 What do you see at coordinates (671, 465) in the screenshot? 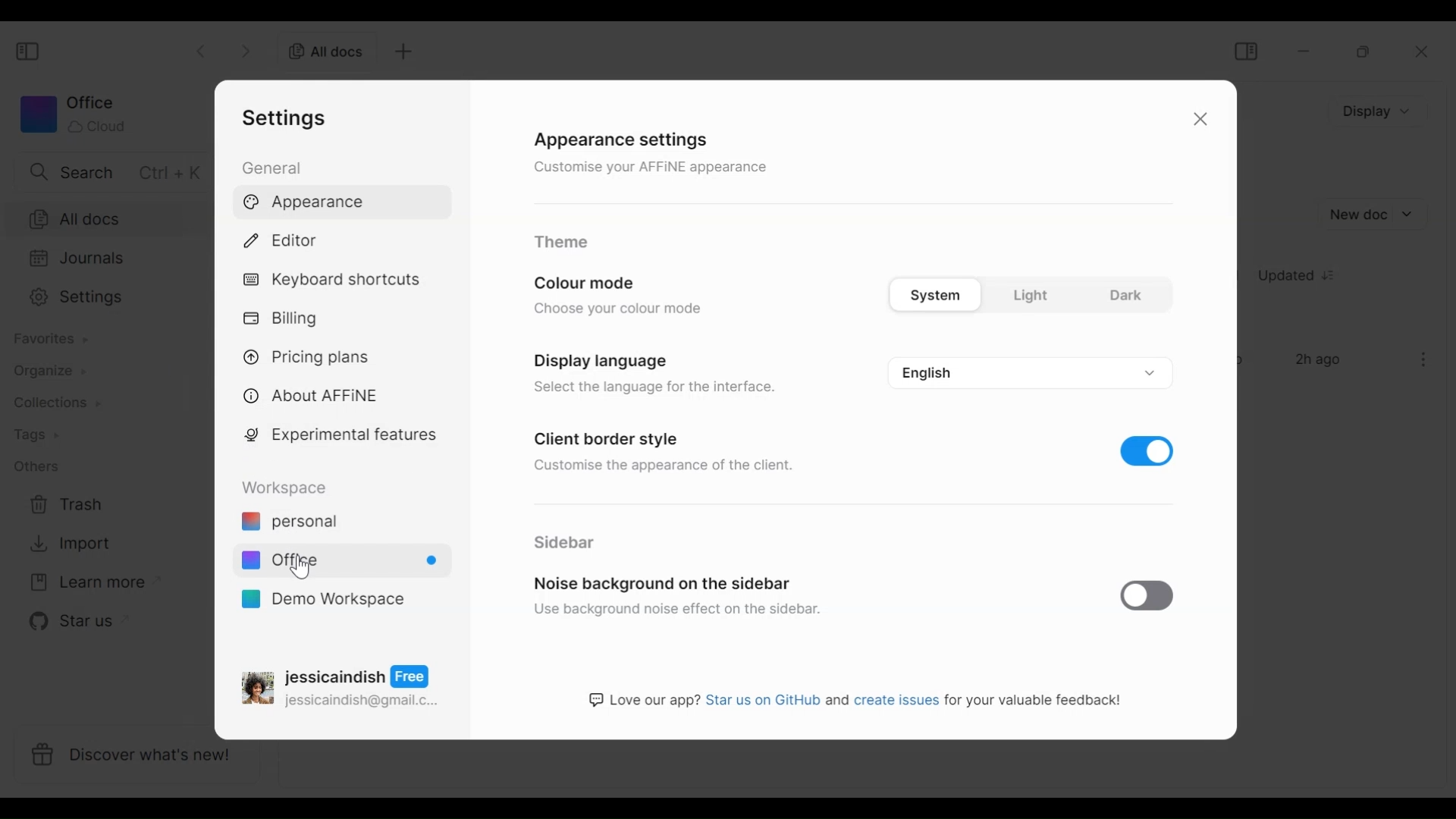
I see `Customise the appearance of the client.` at bounding box center [671, 465].